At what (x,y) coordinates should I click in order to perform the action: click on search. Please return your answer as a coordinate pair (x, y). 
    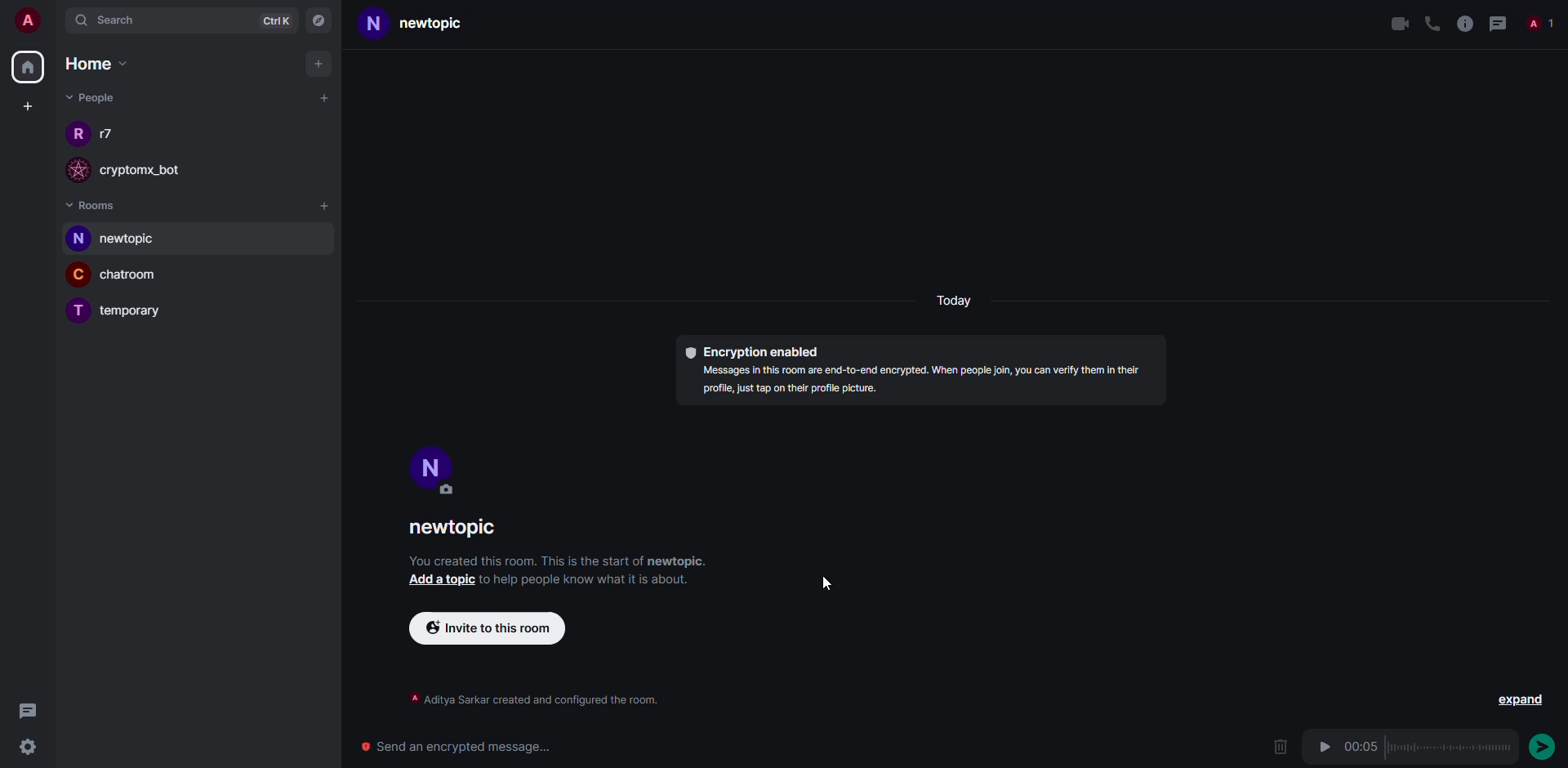
    Looking at the image, I should click on (110, 21).